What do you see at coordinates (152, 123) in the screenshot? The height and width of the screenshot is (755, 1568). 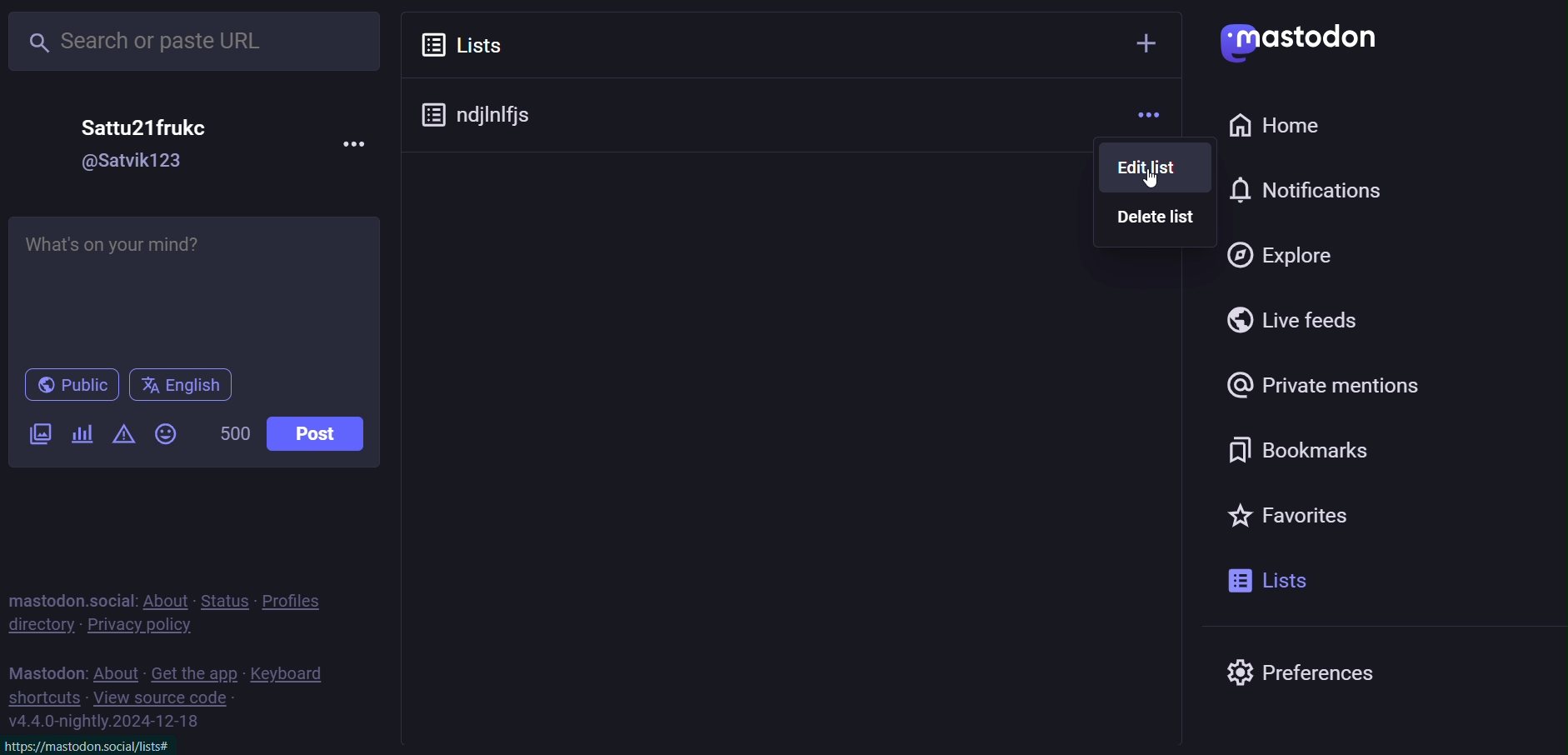 I see `Sattu21frukc` at bounding box center [152, 123].